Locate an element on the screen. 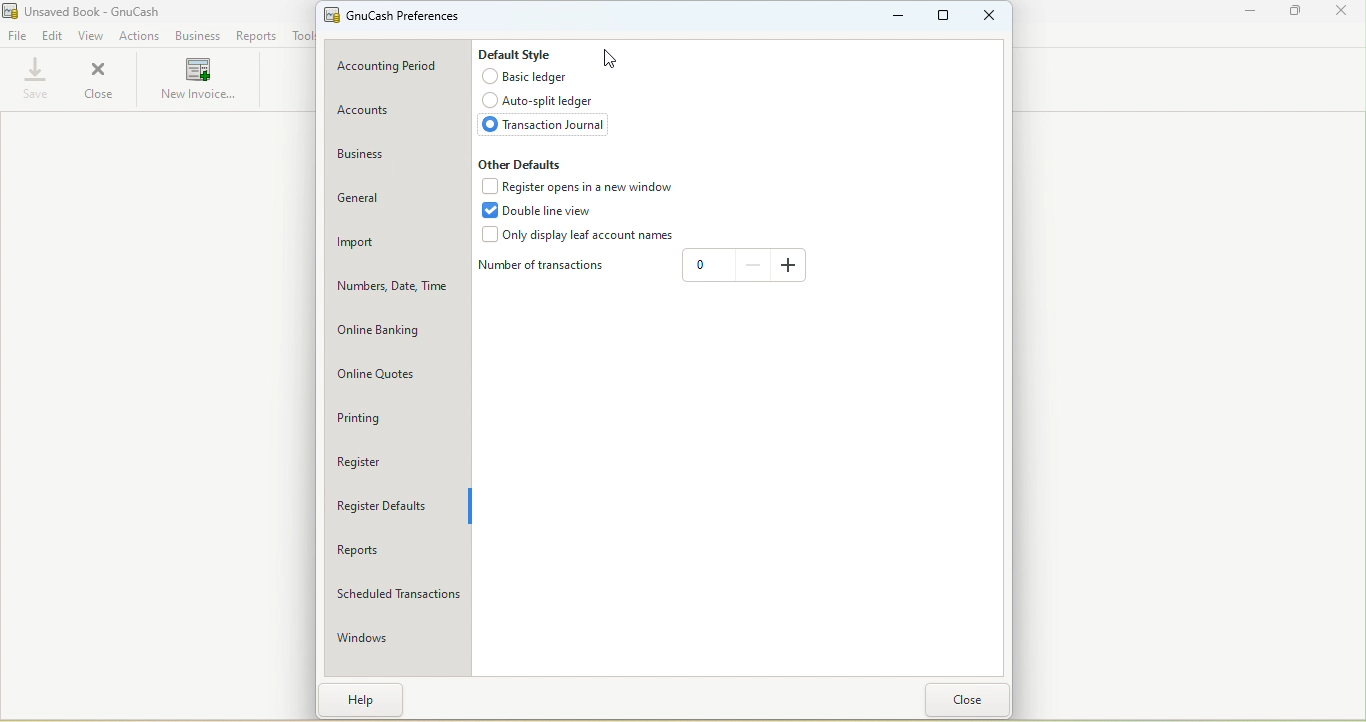 This screenshot has height=722, width=1366. Close is located at coordinates (985, 17).